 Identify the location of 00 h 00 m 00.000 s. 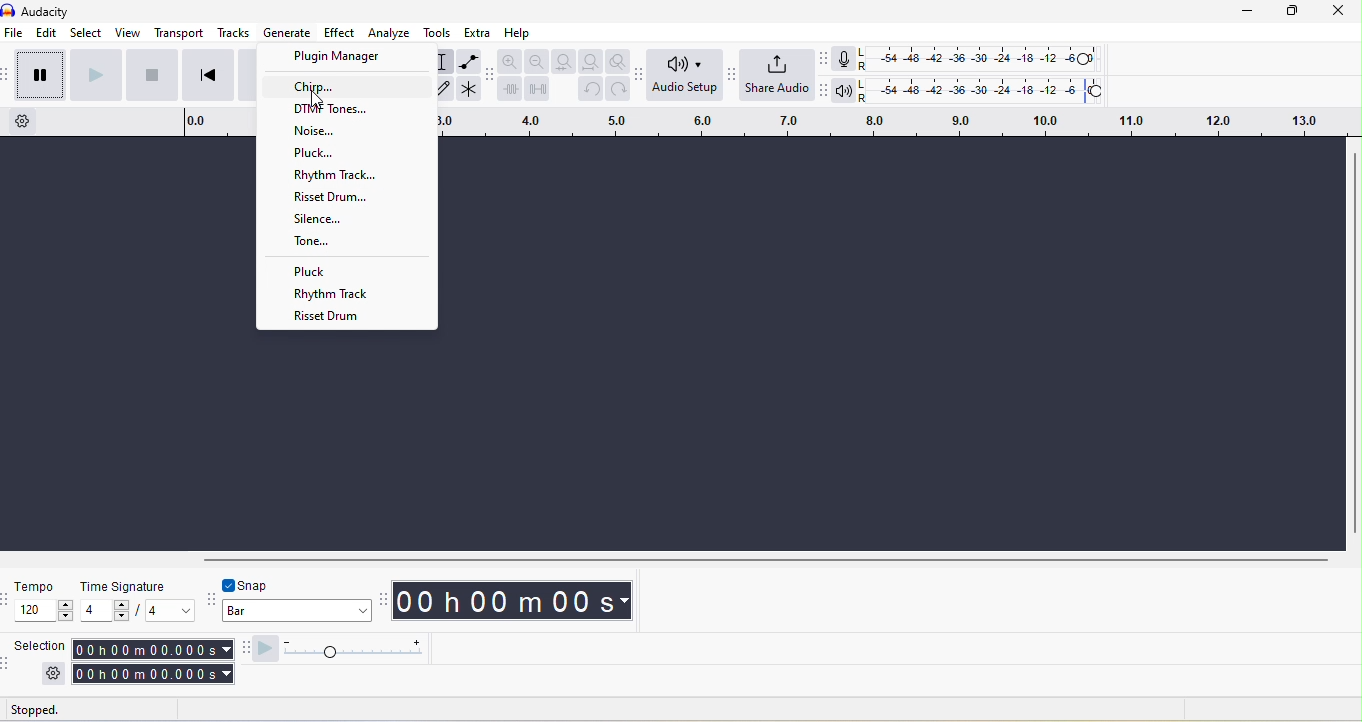
(151, 662).